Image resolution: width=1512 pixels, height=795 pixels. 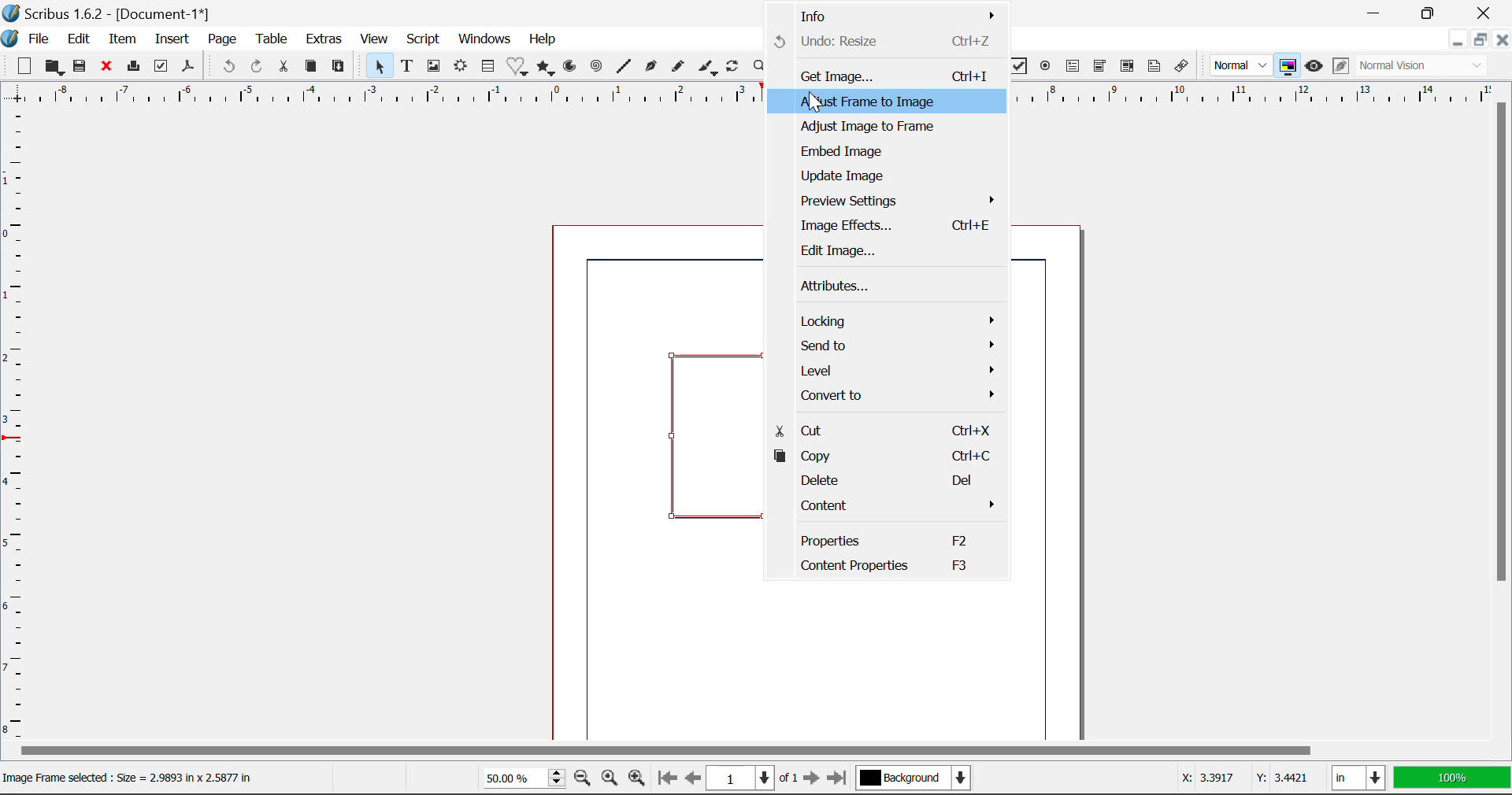 What do you see at coordinates (883, 128) in the screenshot?
I see `Adjust Image to Frame` at bounding box center [883, 128].